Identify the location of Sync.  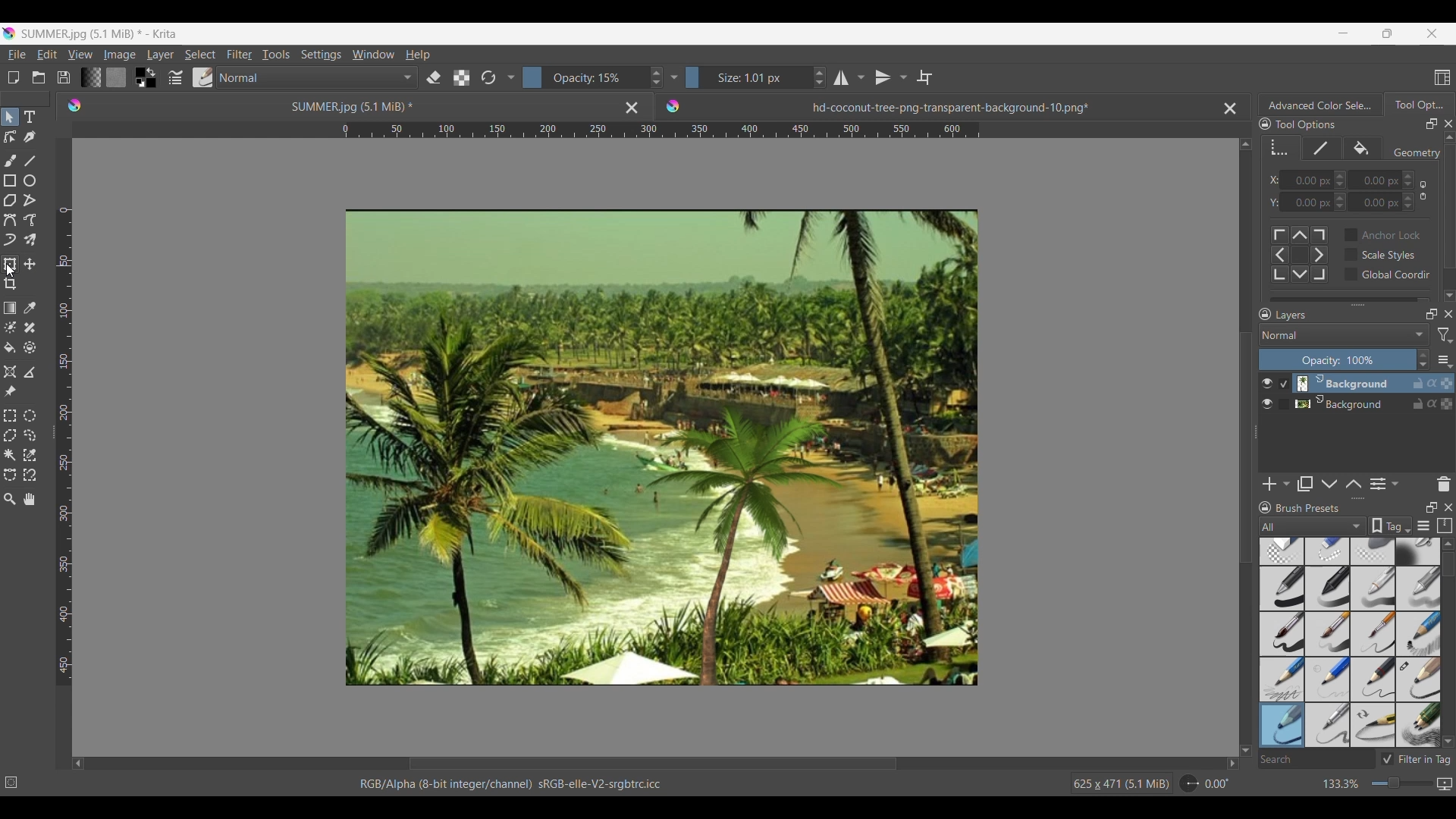
(1432, 400).